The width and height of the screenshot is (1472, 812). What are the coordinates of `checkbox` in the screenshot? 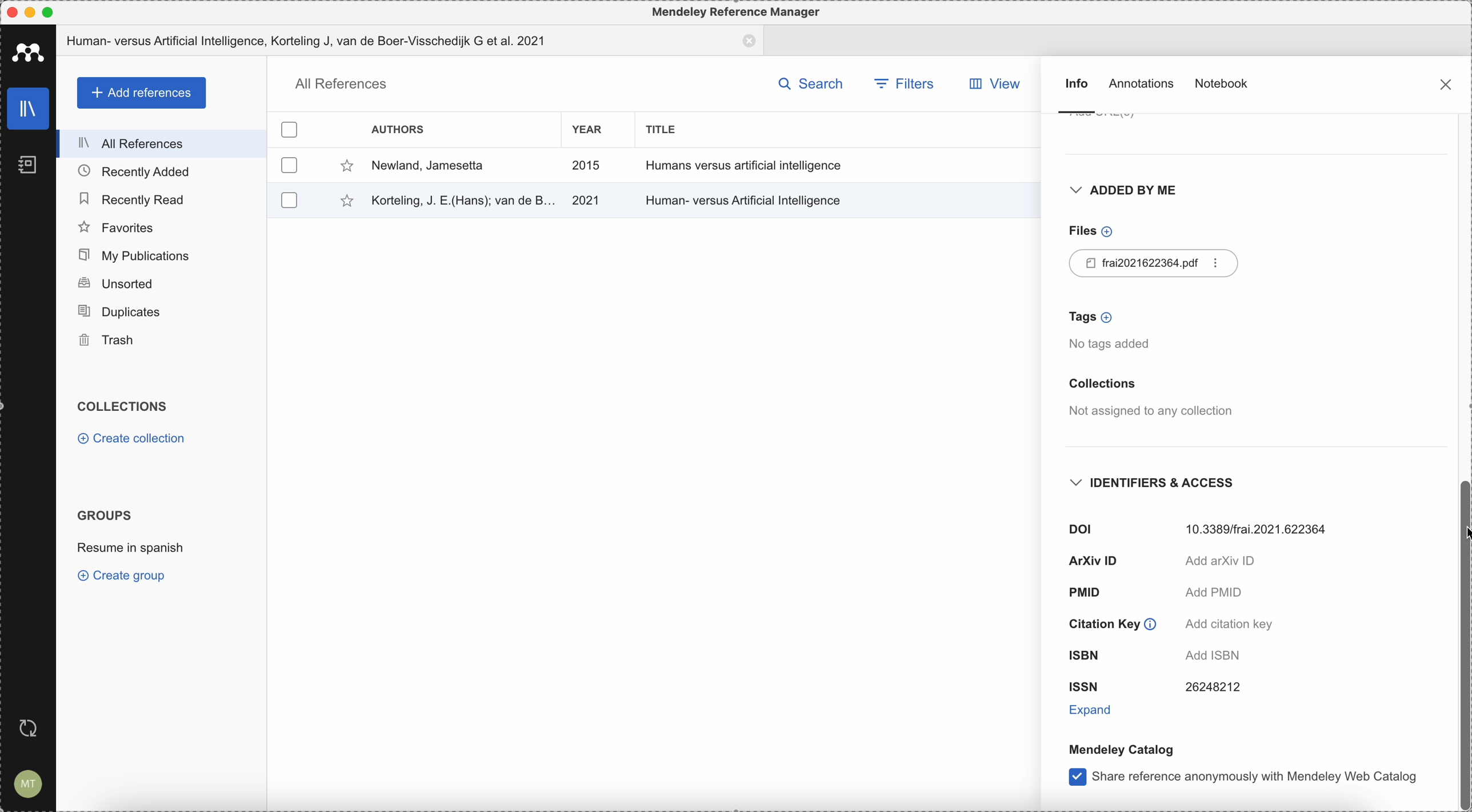 It's located at (291, 127).